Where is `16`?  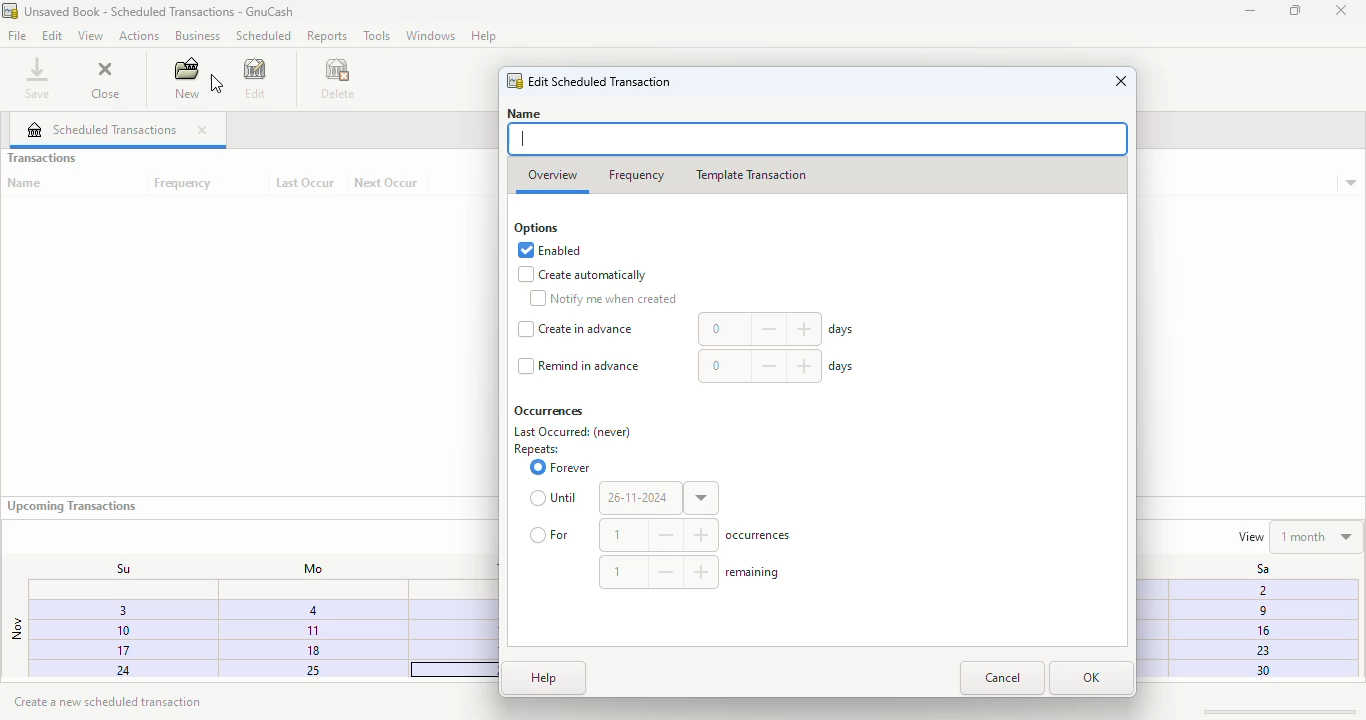 16 is located at coordinates (1261, 631).